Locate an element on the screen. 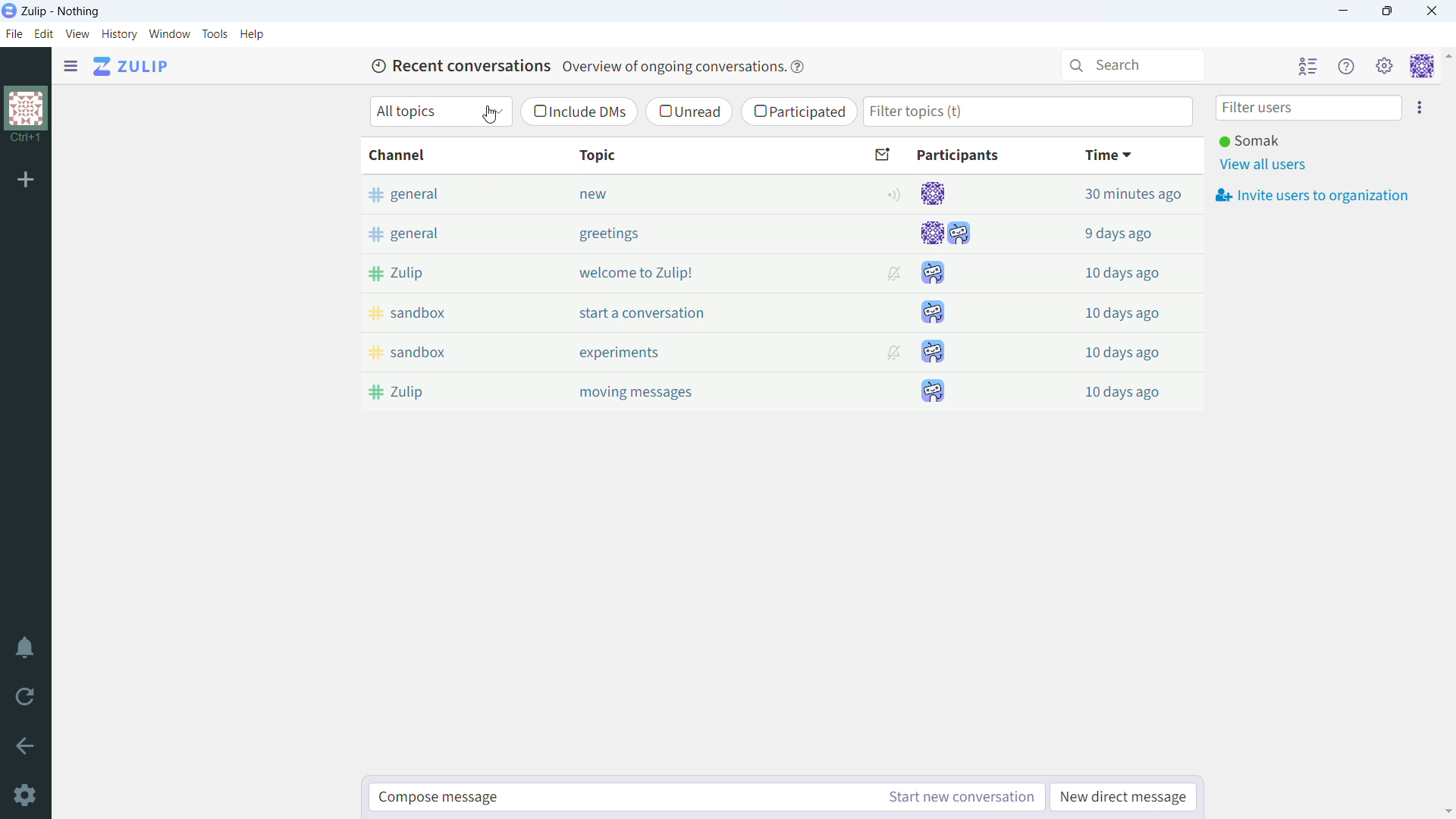 The height and width of the screenshot is (819, 1456). view is located at coordinates (78, 33).